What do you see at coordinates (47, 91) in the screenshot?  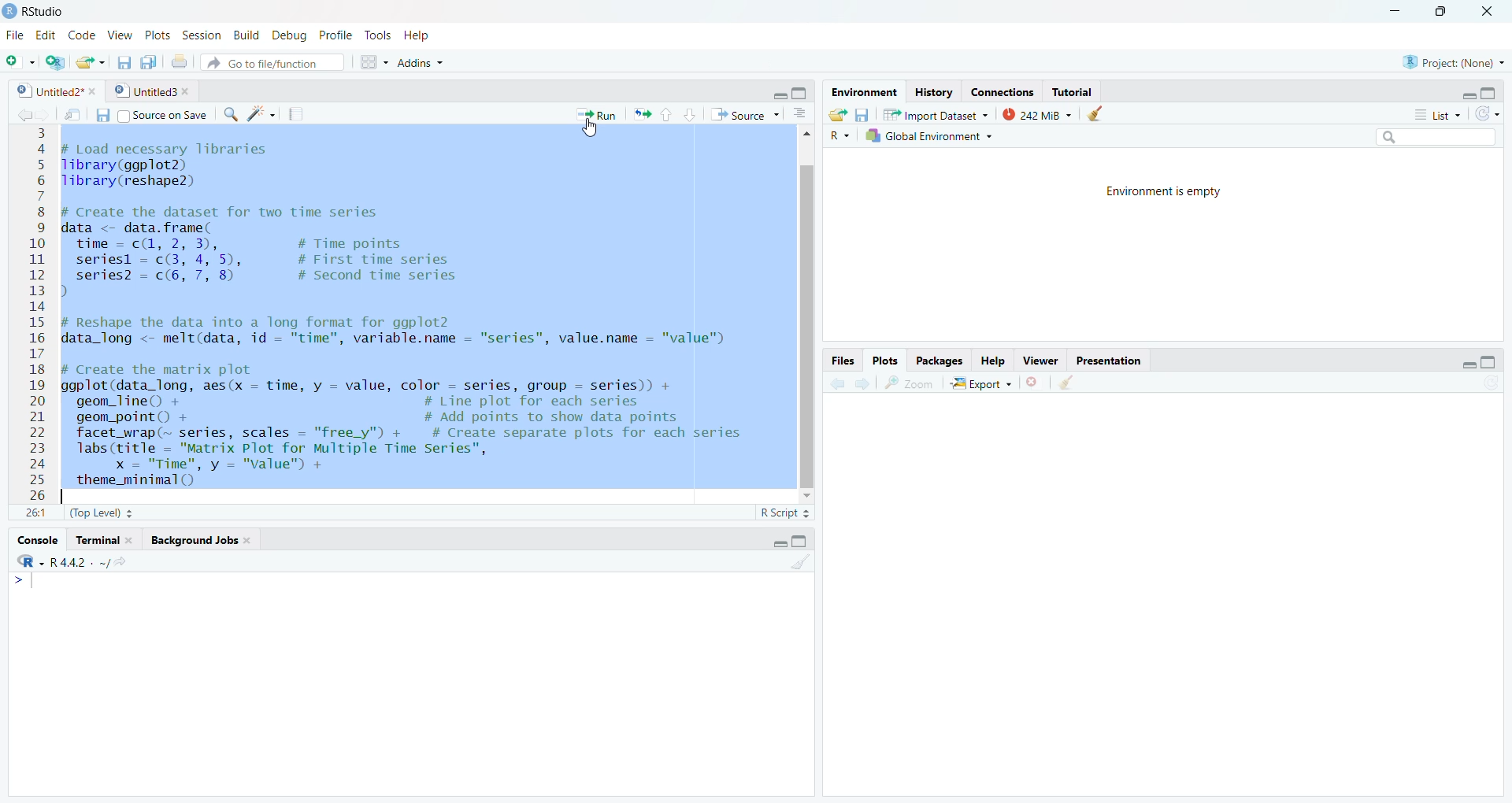 I see `0 | Untitled2*` at bounding box center [47, 91].